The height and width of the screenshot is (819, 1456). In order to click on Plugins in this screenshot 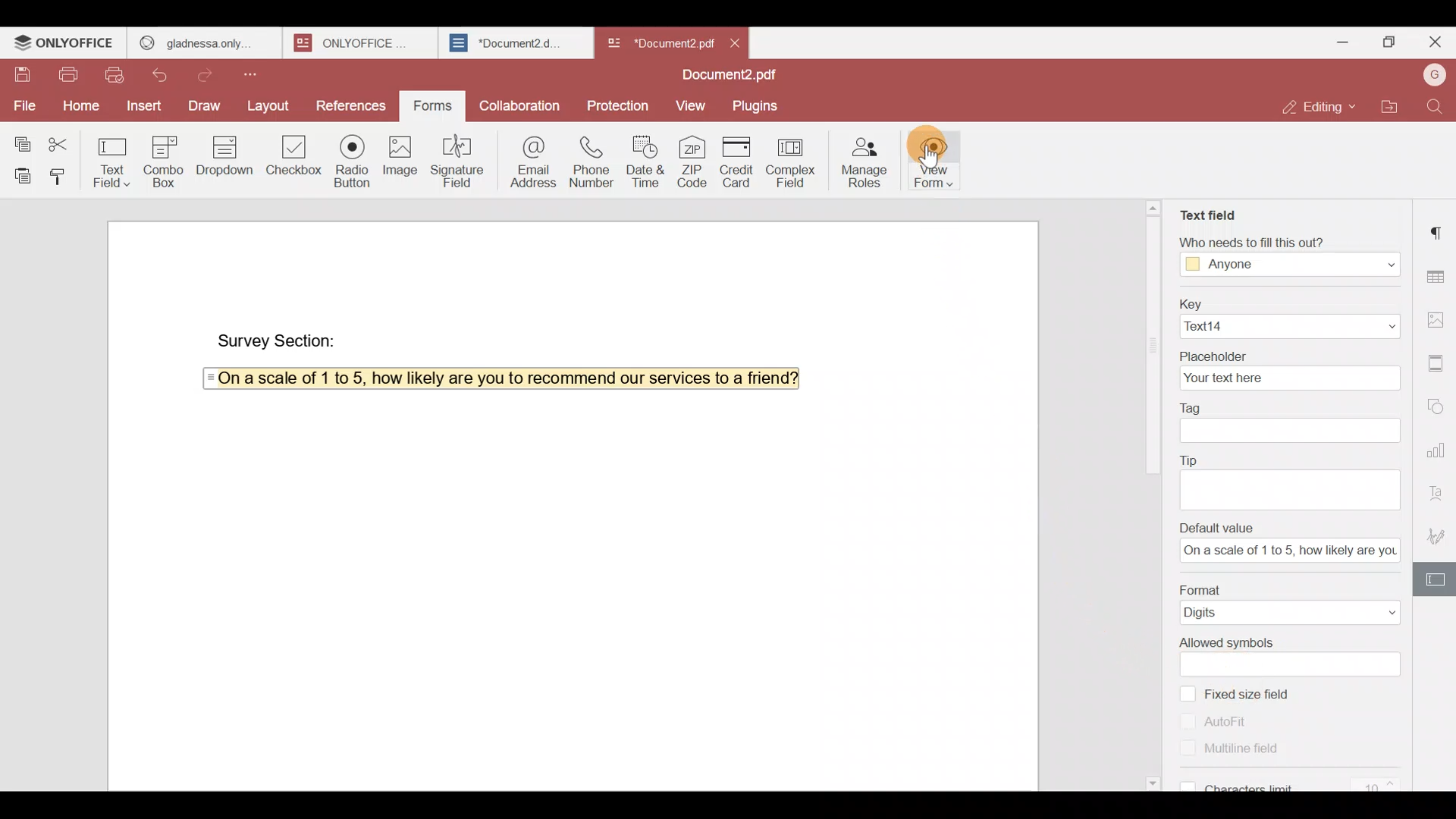, I will do `click(756, 105)`.